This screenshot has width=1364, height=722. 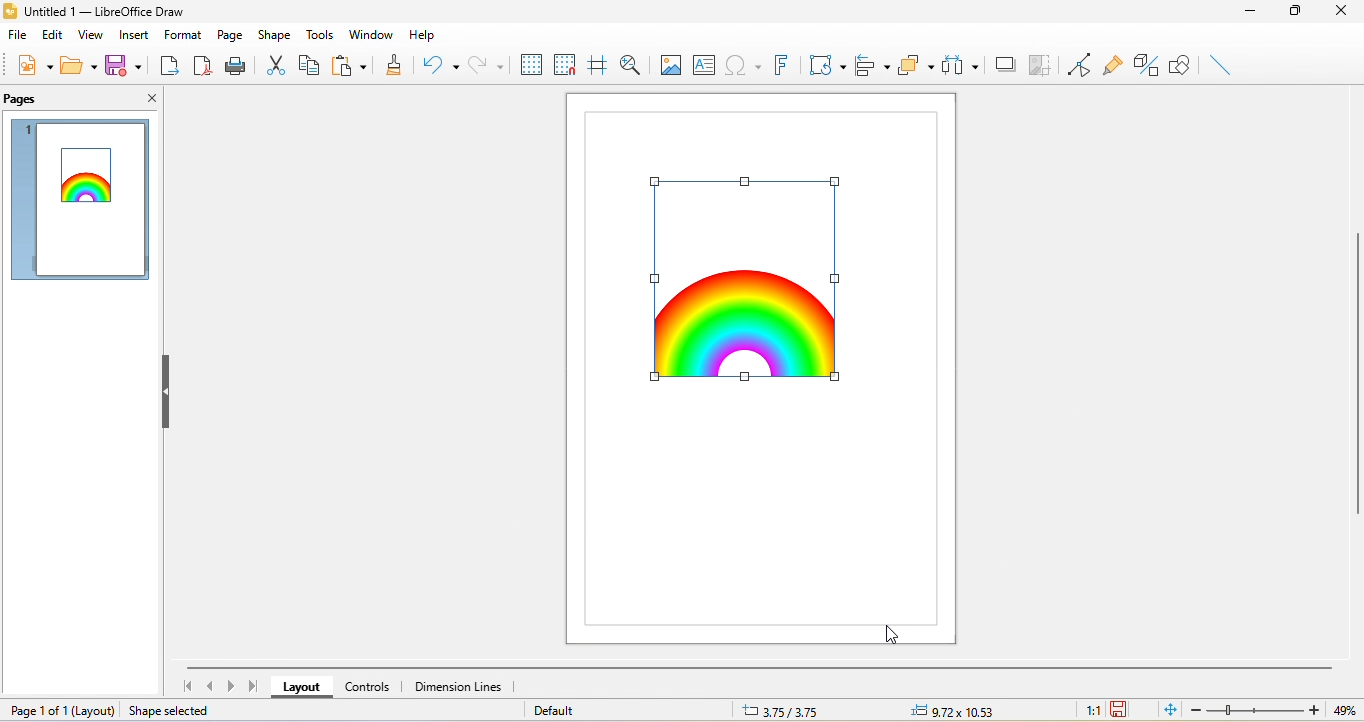 I want to click on save, so click(x=123, y=64).